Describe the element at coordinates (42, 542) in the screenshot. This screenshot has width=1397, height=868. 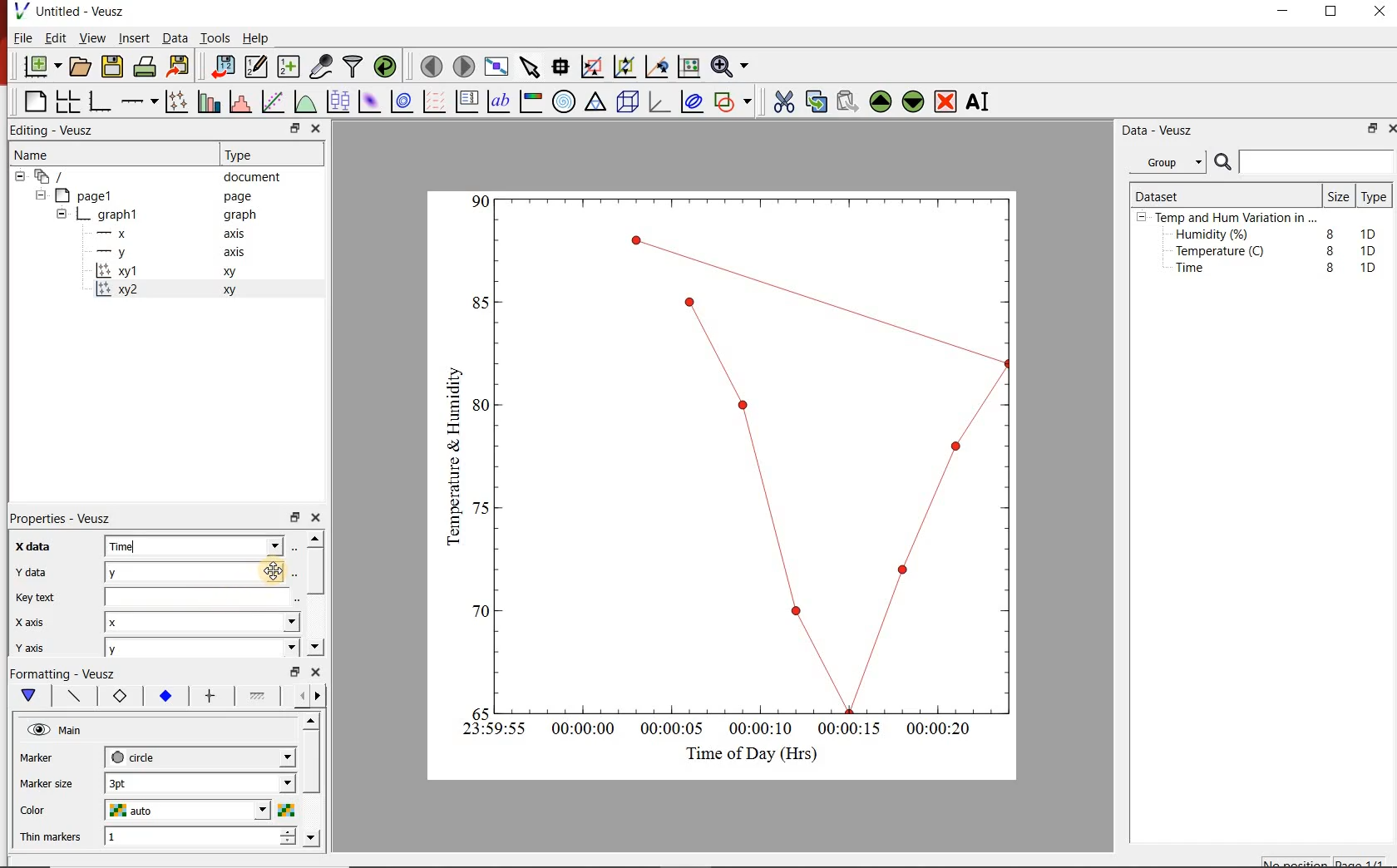
I see `x data` at that location.